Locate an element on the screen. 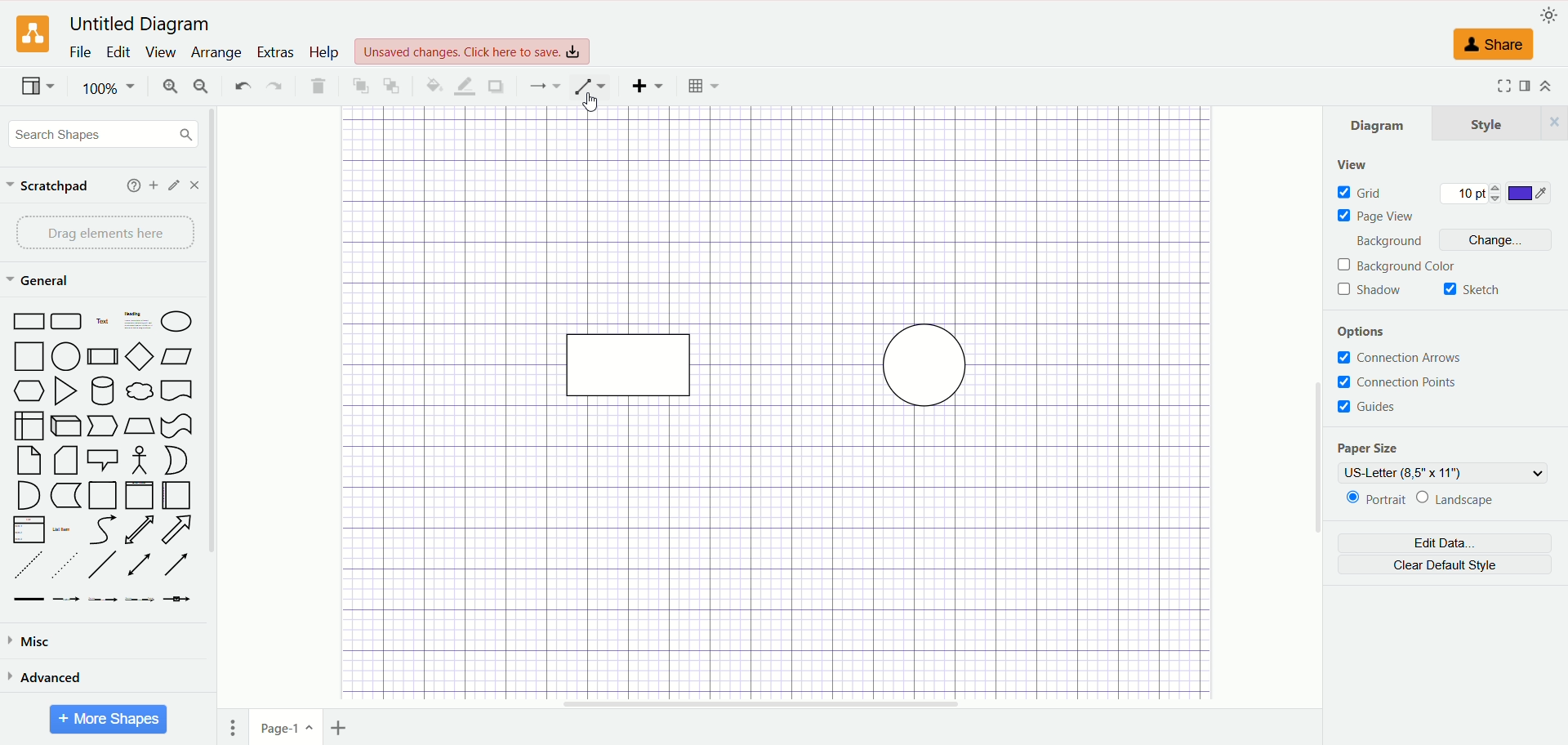 The width and height of the screenshot is (1568, 745). Sparsely Dotted Line is located at coordinates (65, 564).